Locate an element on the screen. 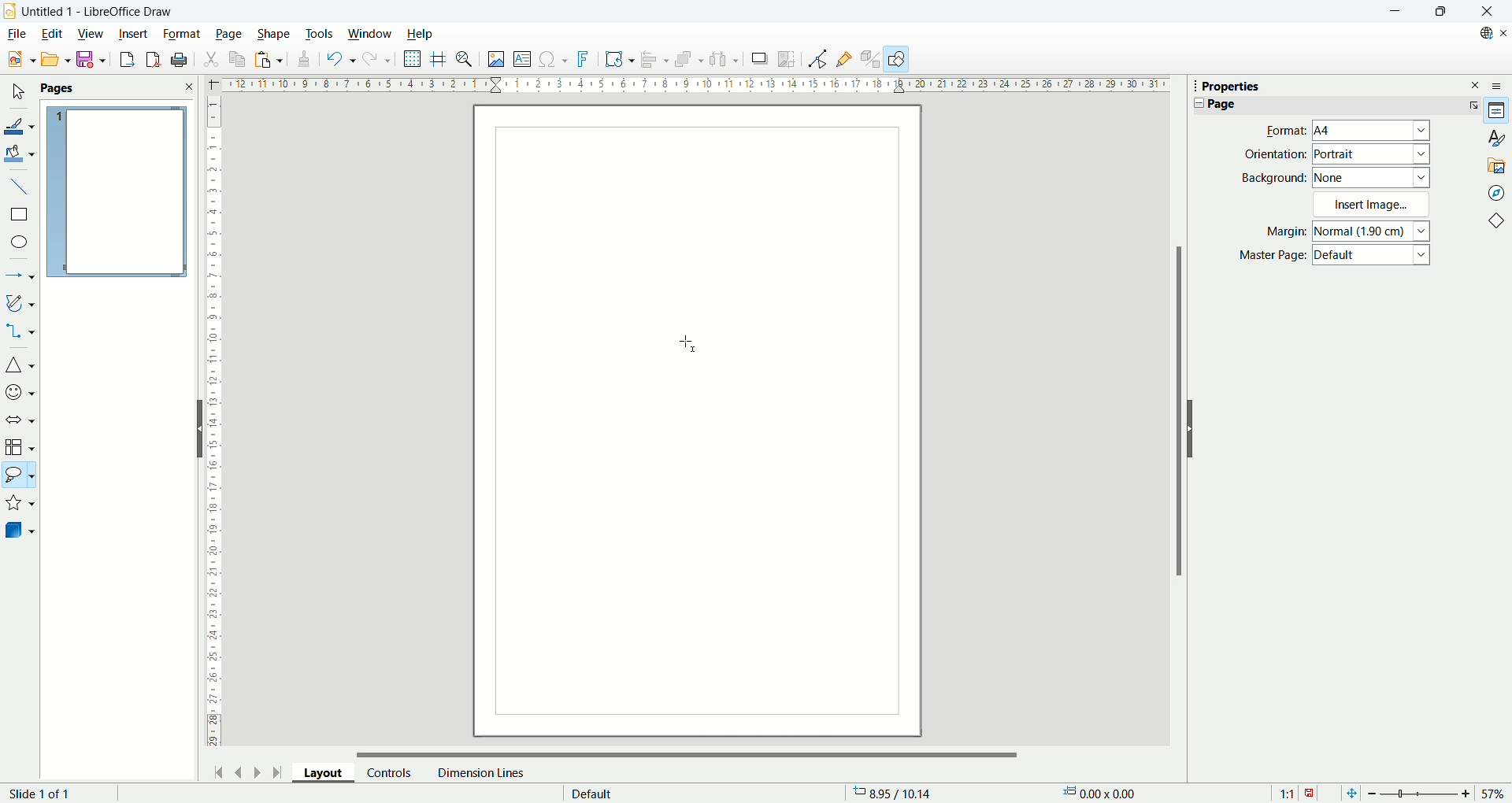 This screenshot has height=803, width=1512. Vetical ruler is located at coordinates (214, 425).